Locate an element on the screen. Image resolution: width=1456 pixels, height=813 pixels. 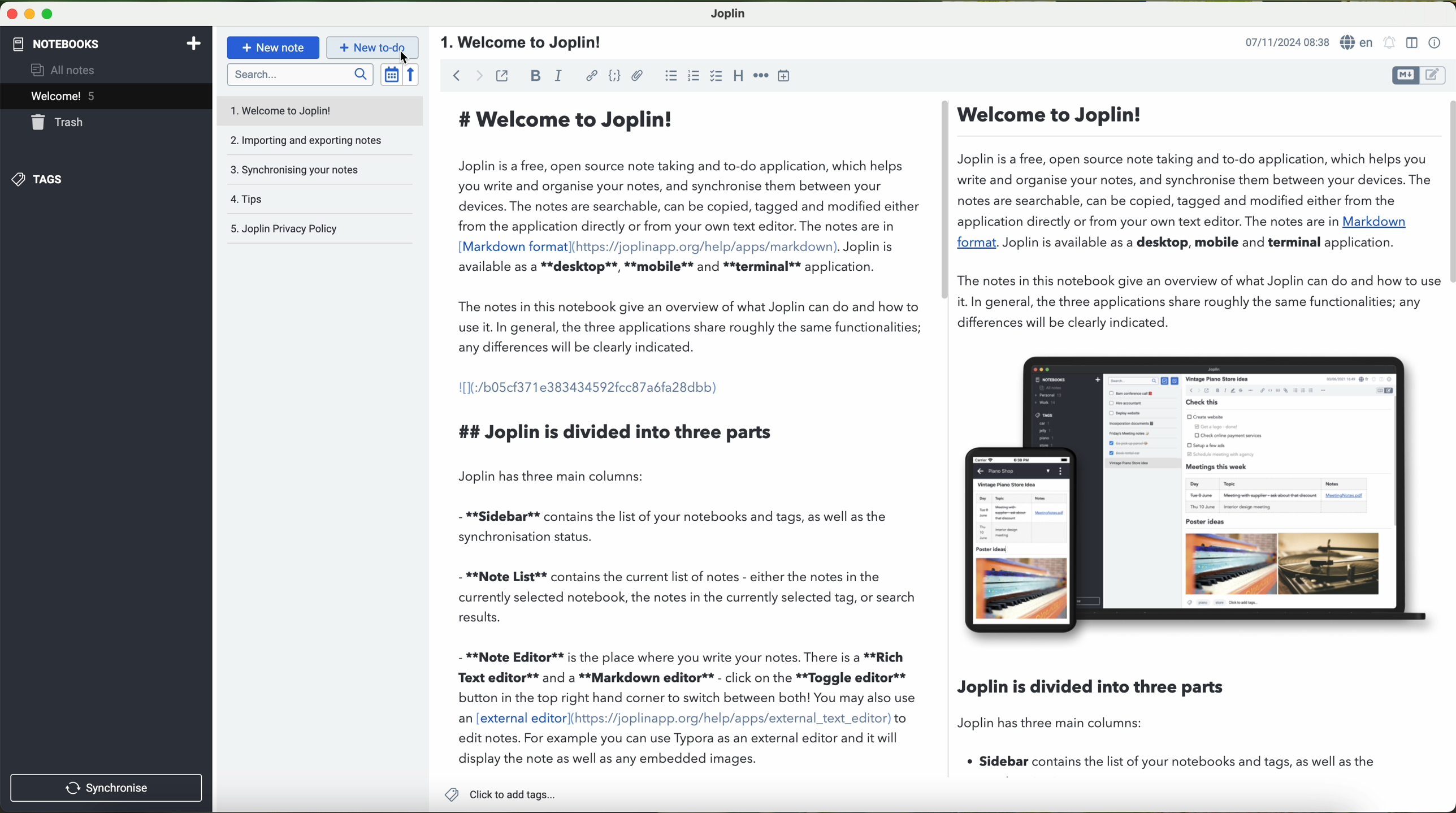
bold is located at coordinates (536, 75).